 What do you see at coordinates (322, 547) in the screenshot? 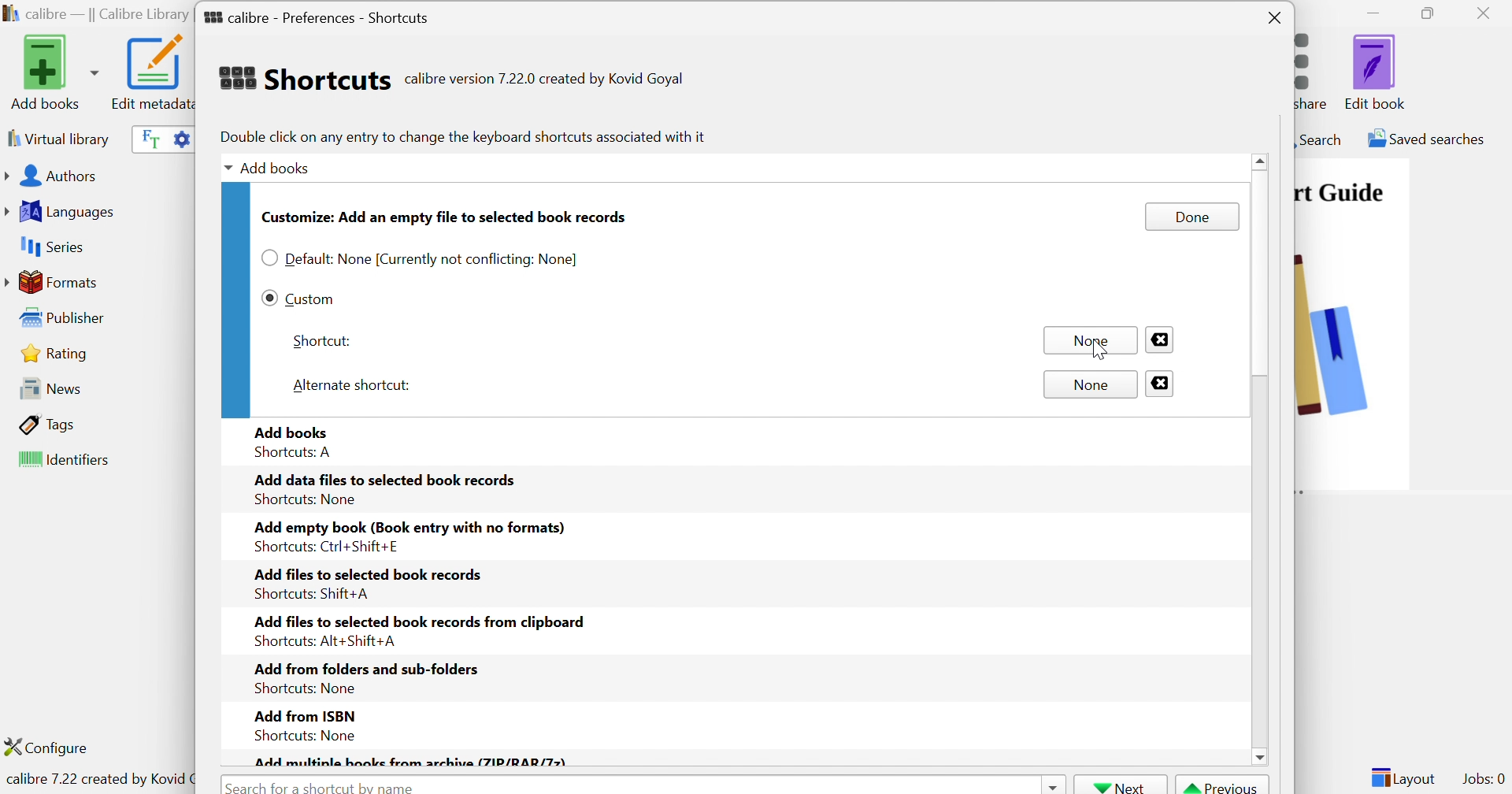
I see `Shortcuts: Ctrl+Shift+E` at bounding box center [322, 547].